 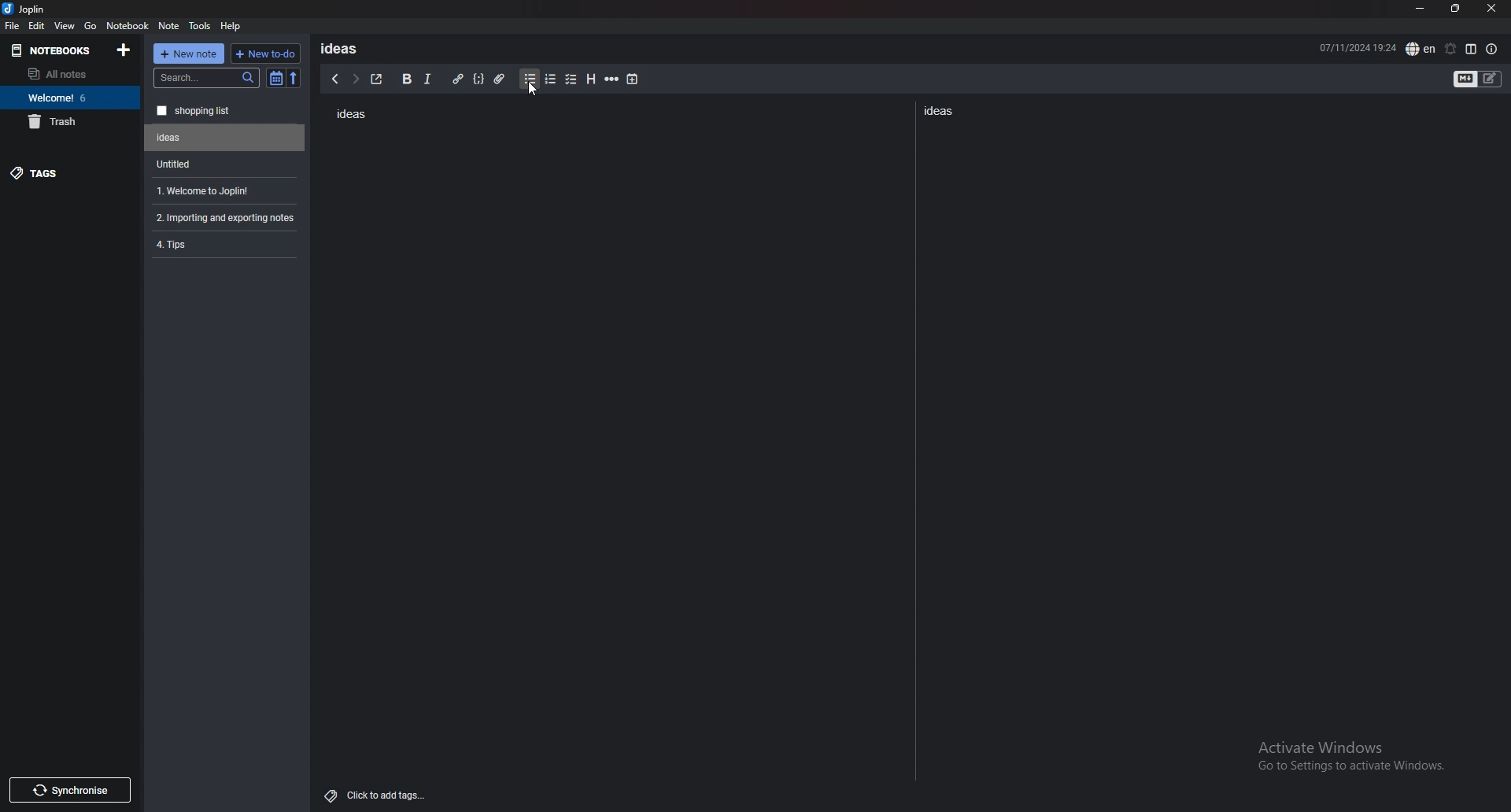 I want to click on go, so click(x=91, y=24).